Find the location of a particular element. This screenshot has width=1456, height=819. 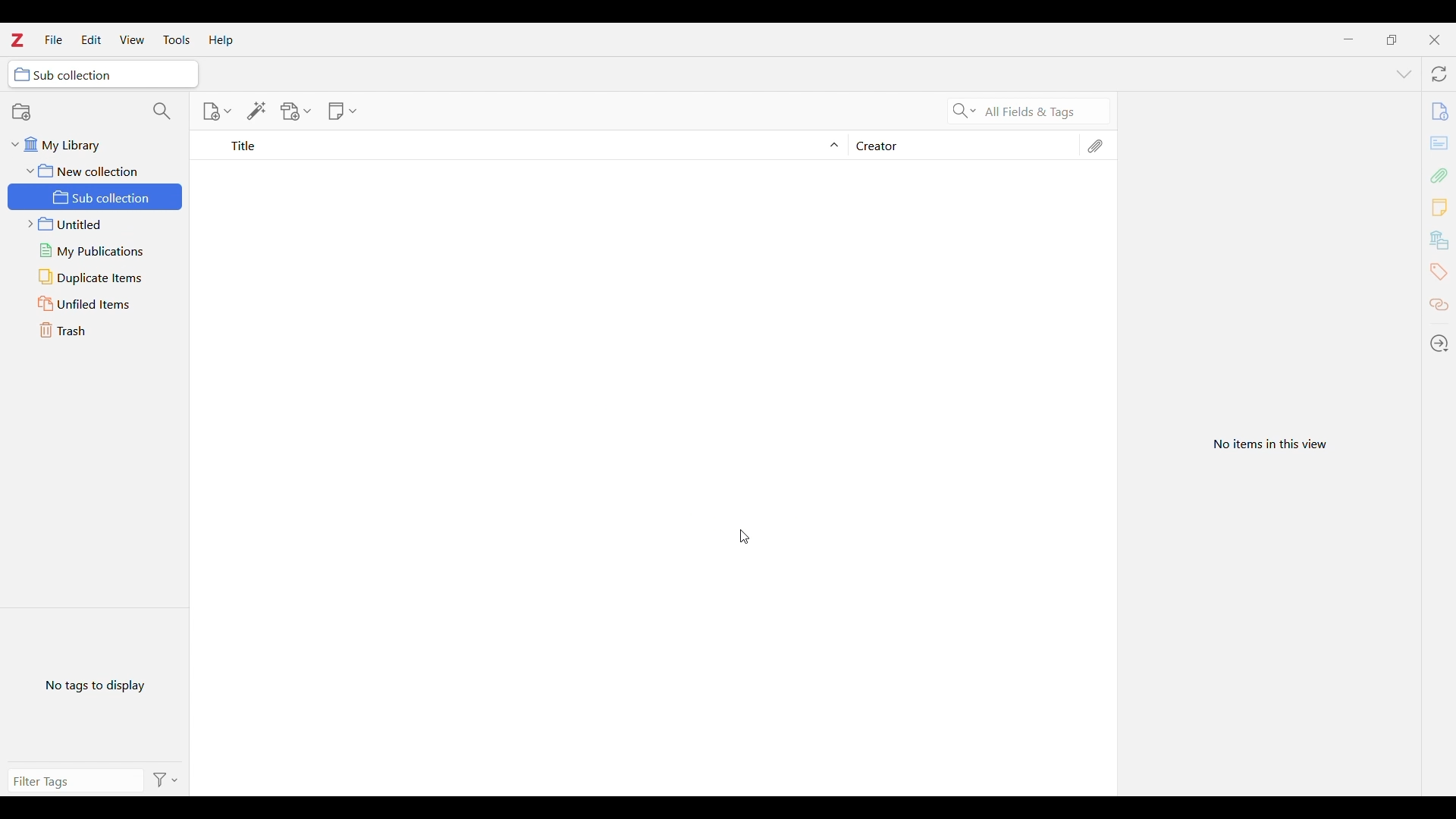

Tags is located at coordinates (1438, 272).